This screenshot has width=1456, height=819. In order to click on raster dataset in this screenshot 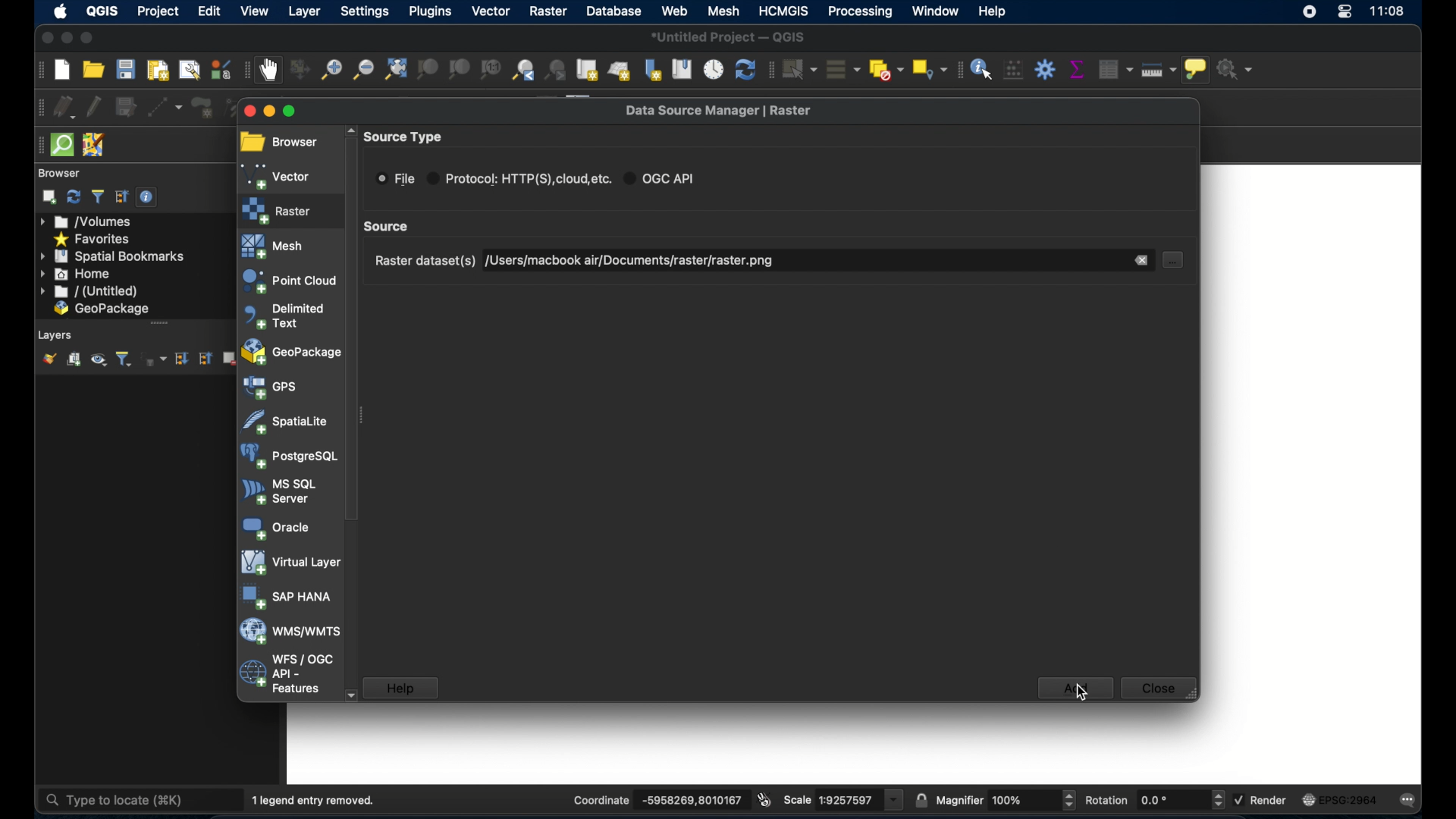, I will do `click(422, 262)`.